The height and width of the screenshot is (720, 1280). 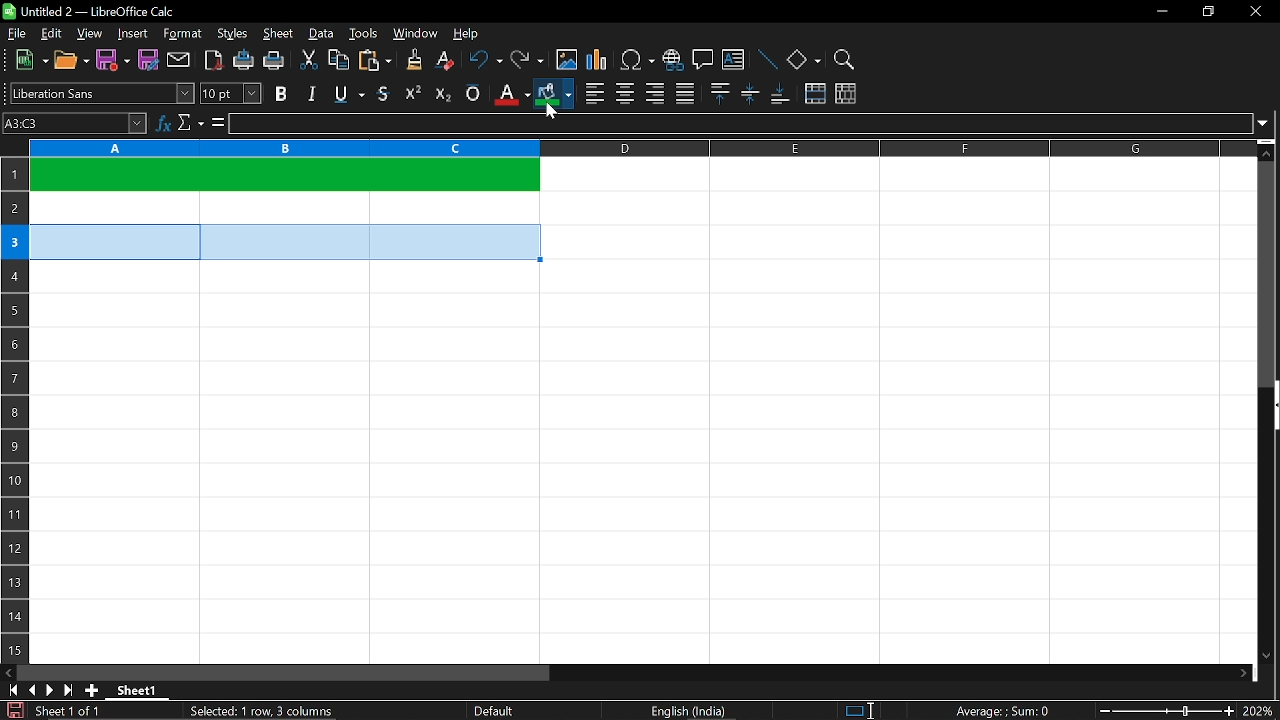 I want to click on save as, so click(x=148, y=59).